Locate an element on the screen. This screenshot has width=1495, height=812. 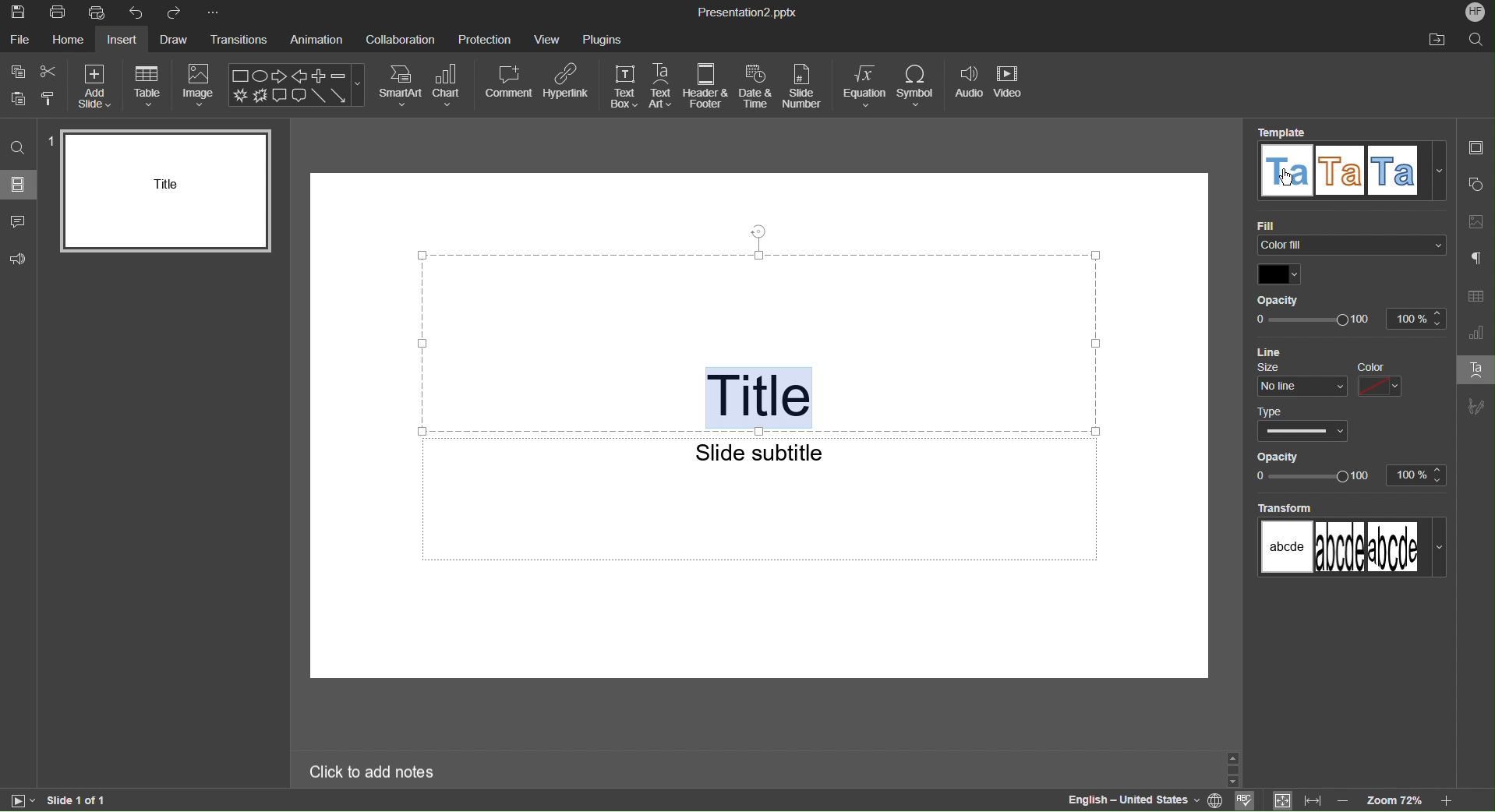
Quick Print is located at coordinates (97, 12).